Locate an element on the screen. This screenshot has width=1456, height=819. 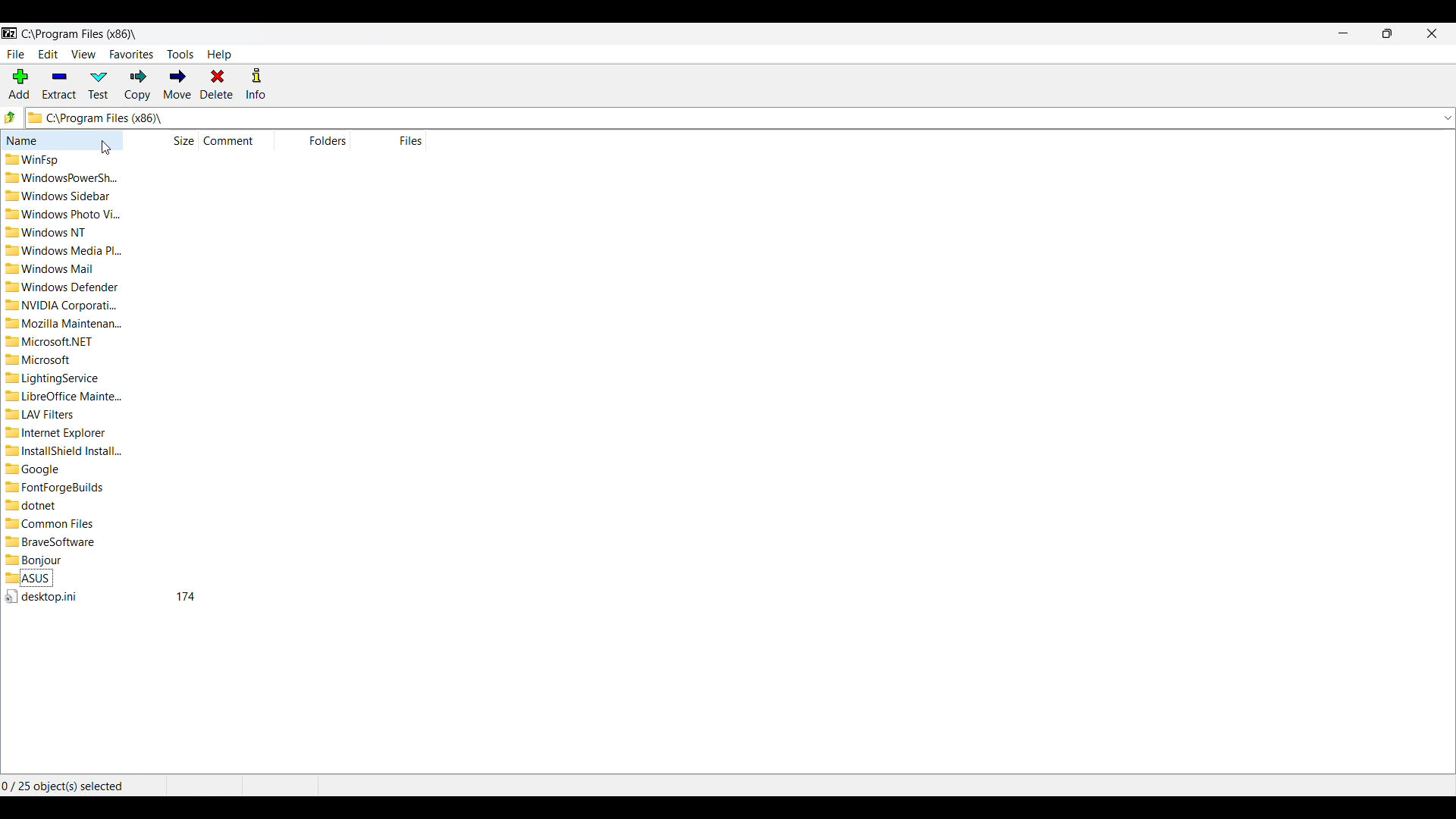
Delete is located at coordinates (218, 84).